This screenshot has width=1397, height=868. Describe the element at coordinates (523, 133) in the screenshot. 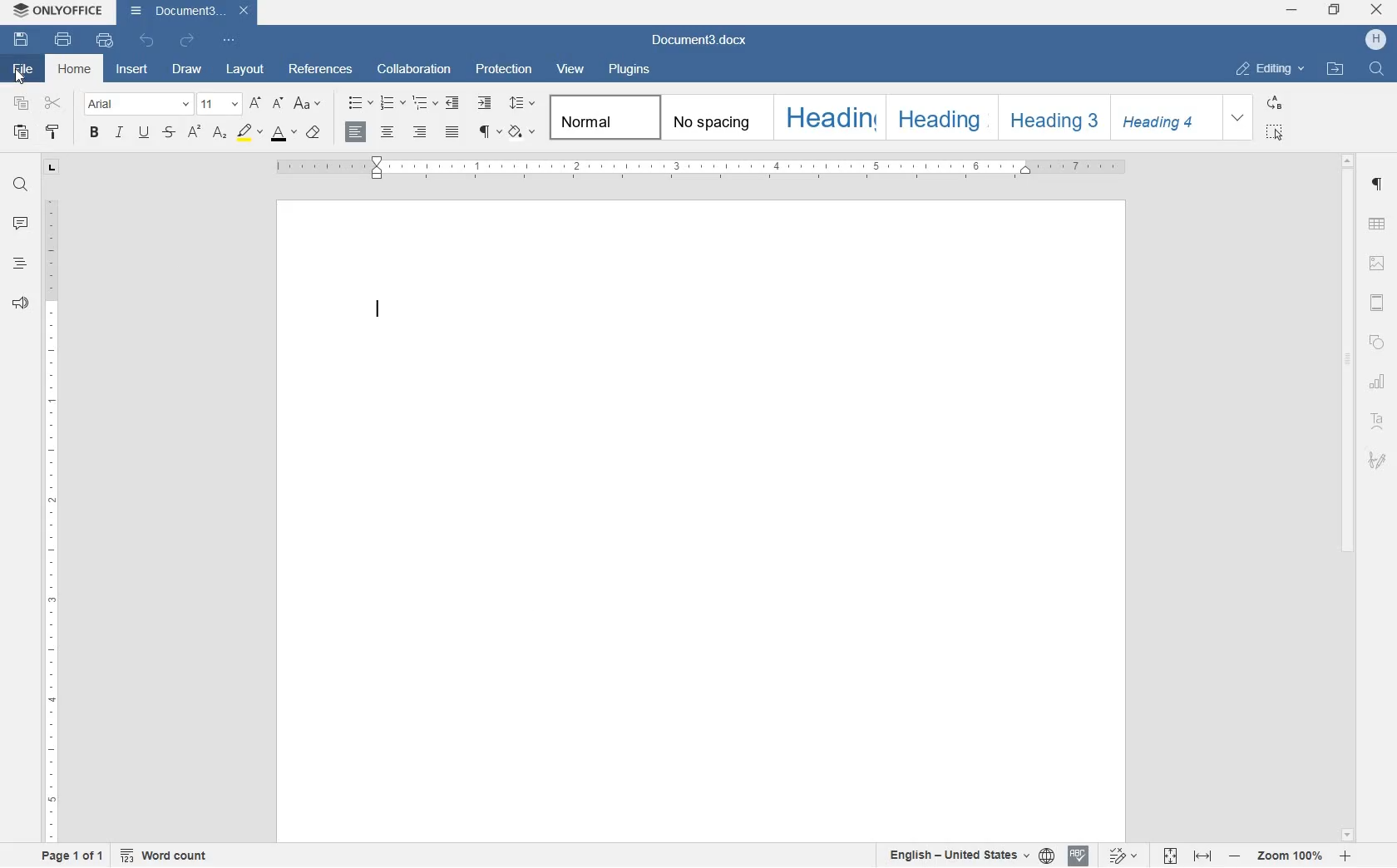

I see `shading` at that location.